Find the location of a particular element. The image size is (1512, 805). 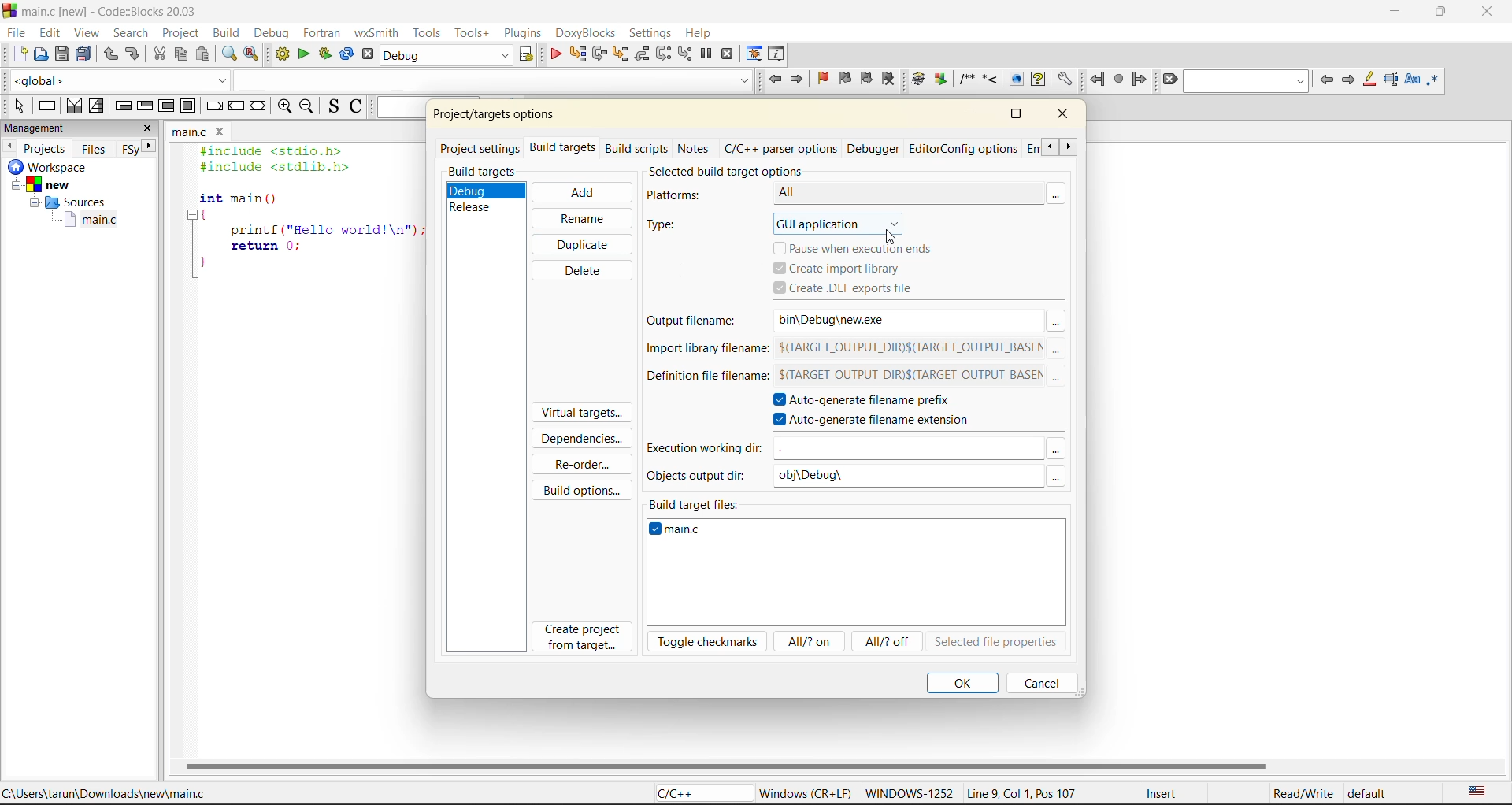

toggle comments is located at coordinates (355, 108).